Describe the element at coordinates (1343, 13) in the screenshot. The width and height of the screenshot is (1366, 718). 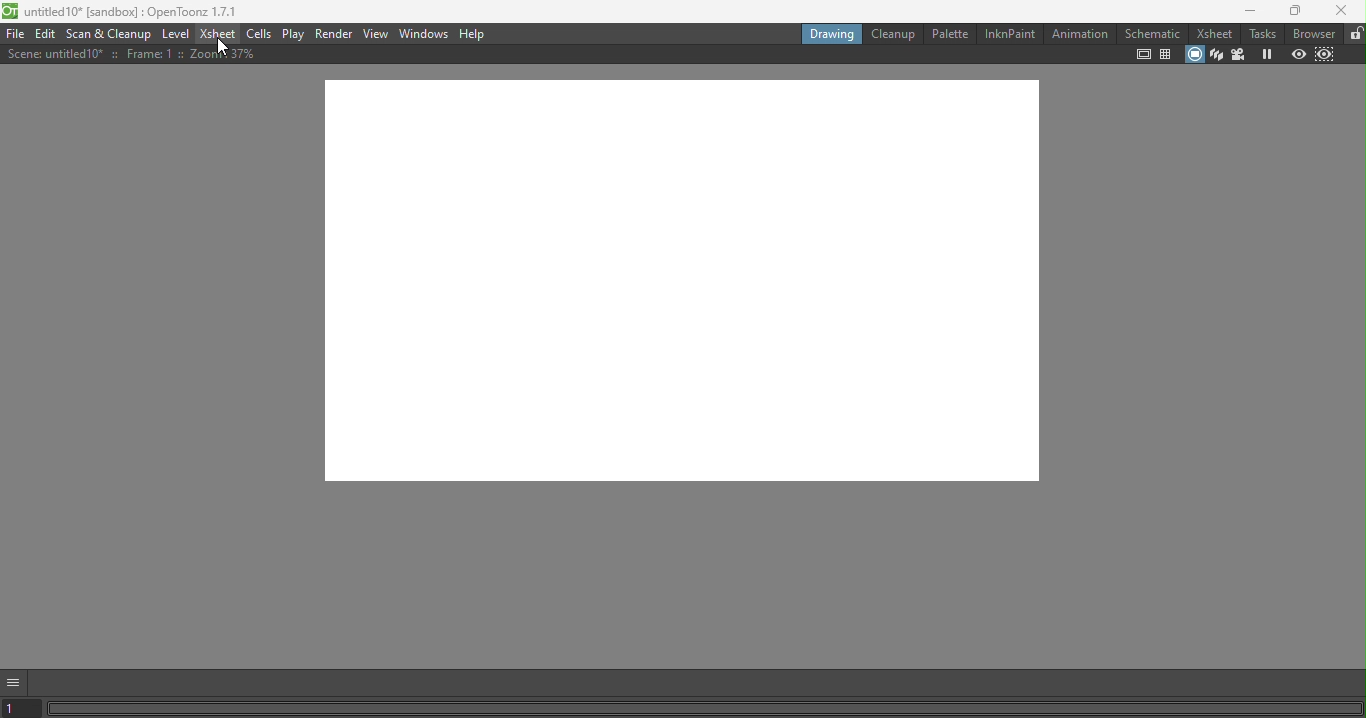
I see `Close` at that location.